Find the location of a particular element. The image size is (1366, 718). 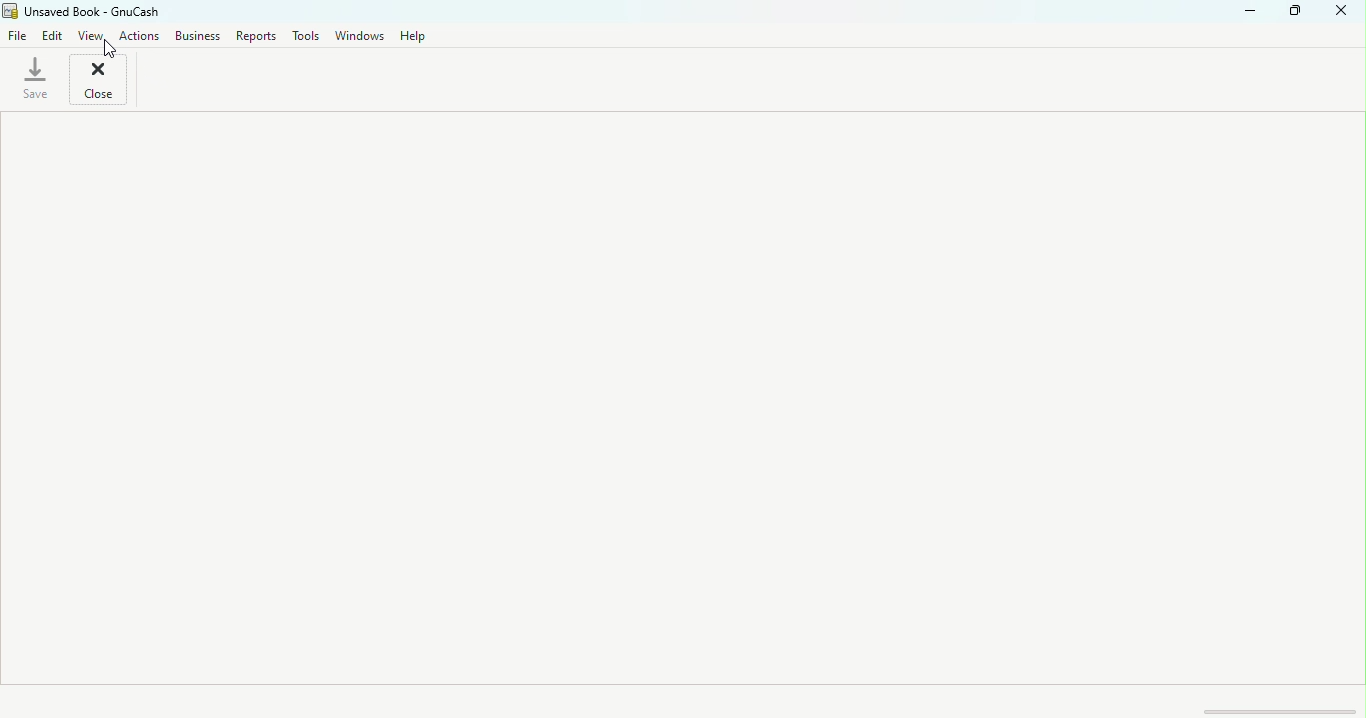

Report is located at coordinates (257, 37).